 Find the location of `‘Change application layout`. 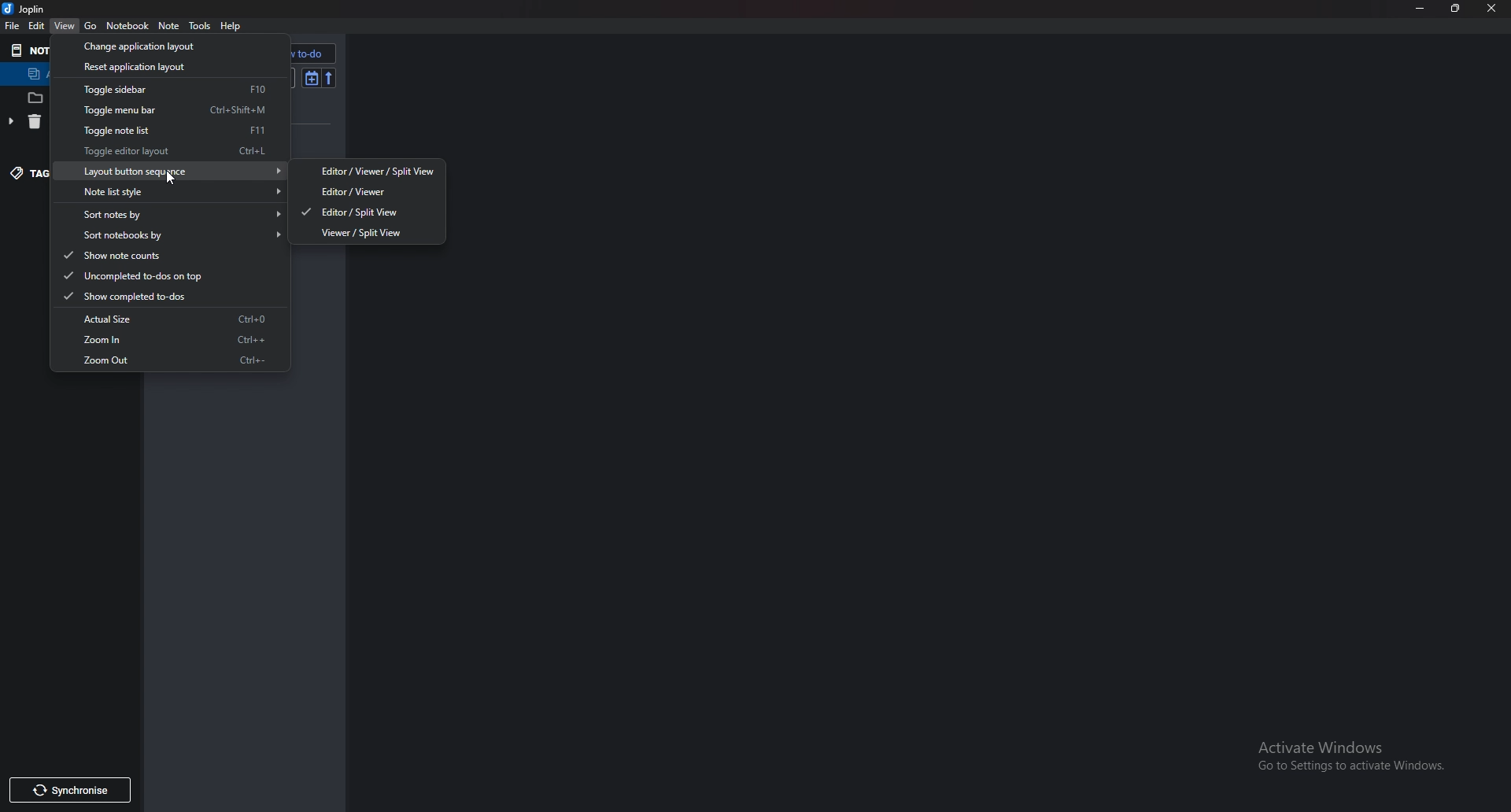

‘Change application layout is located at coordinates (138, 46).